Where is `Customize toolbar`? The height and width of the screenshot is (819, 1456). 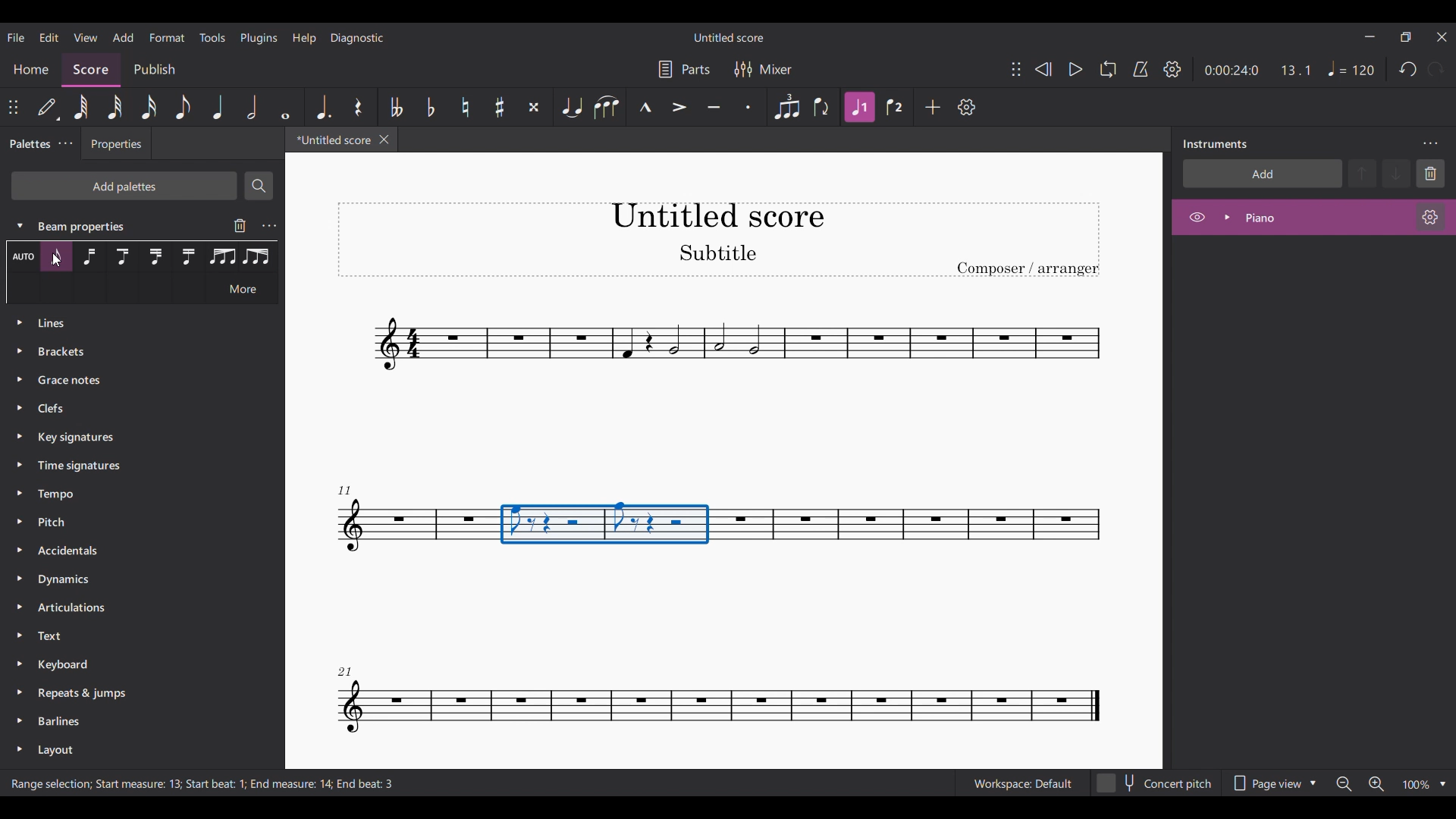 Customize toolbar is located at coordinates (966, 108).